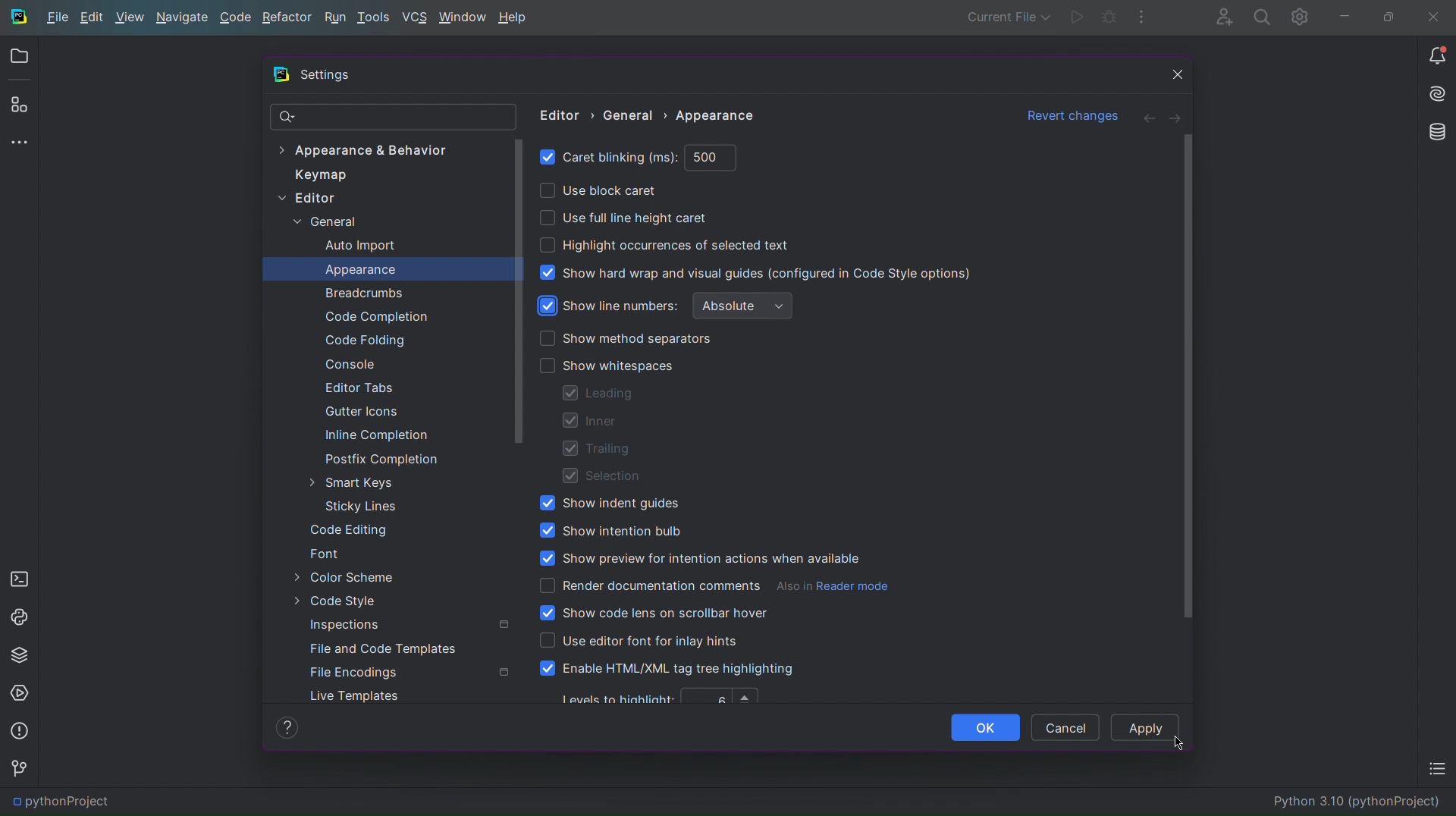 The image size is (1456, 816). Describe the element at coordinates (288, 17) in the screenshot. I see `Refactor` at that location.